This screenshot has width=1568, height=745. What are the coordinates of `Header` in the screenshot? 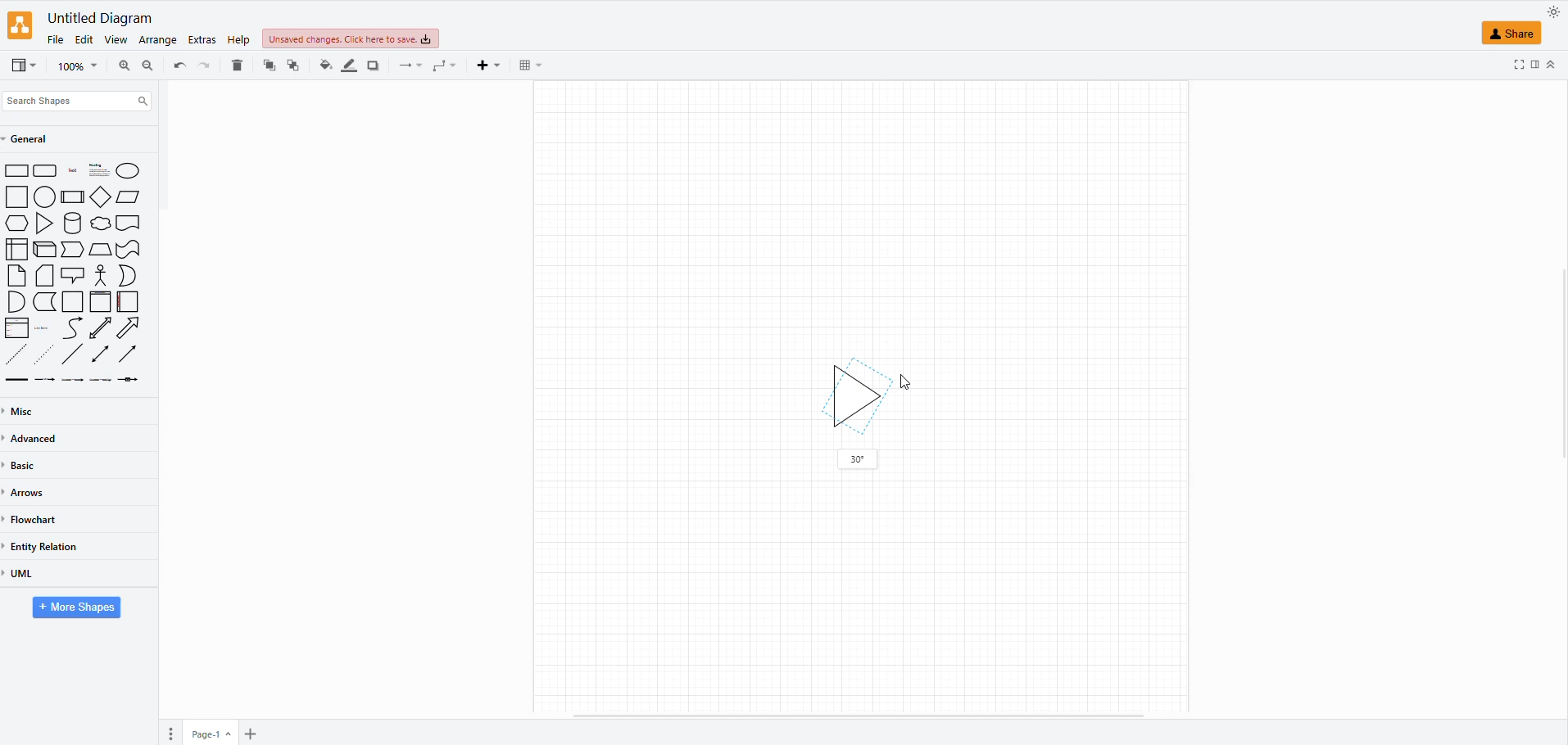 It's located at (101, 302).